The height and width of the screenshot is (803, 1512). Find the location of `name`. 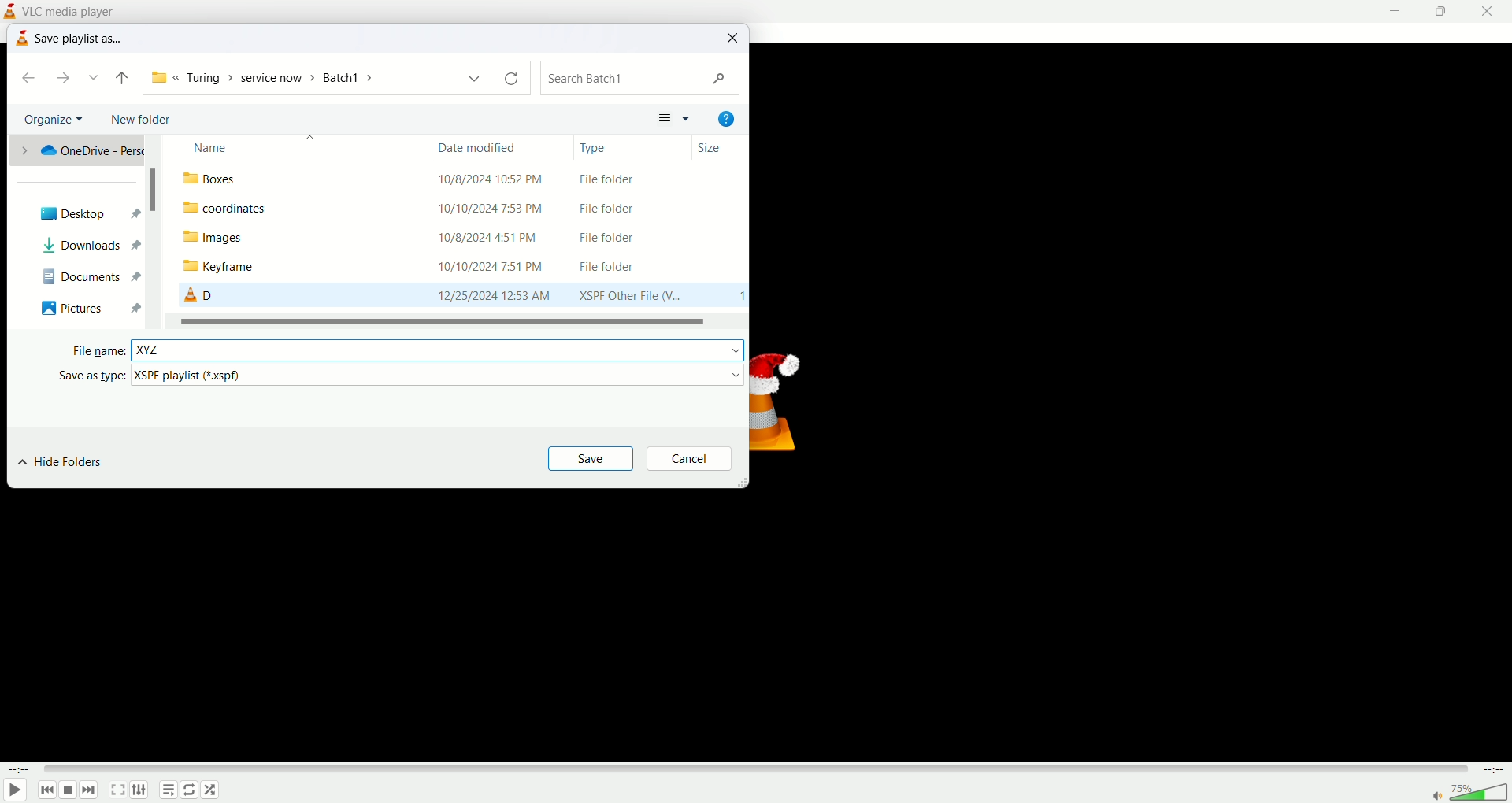

name is located at coordinates (265, 144).